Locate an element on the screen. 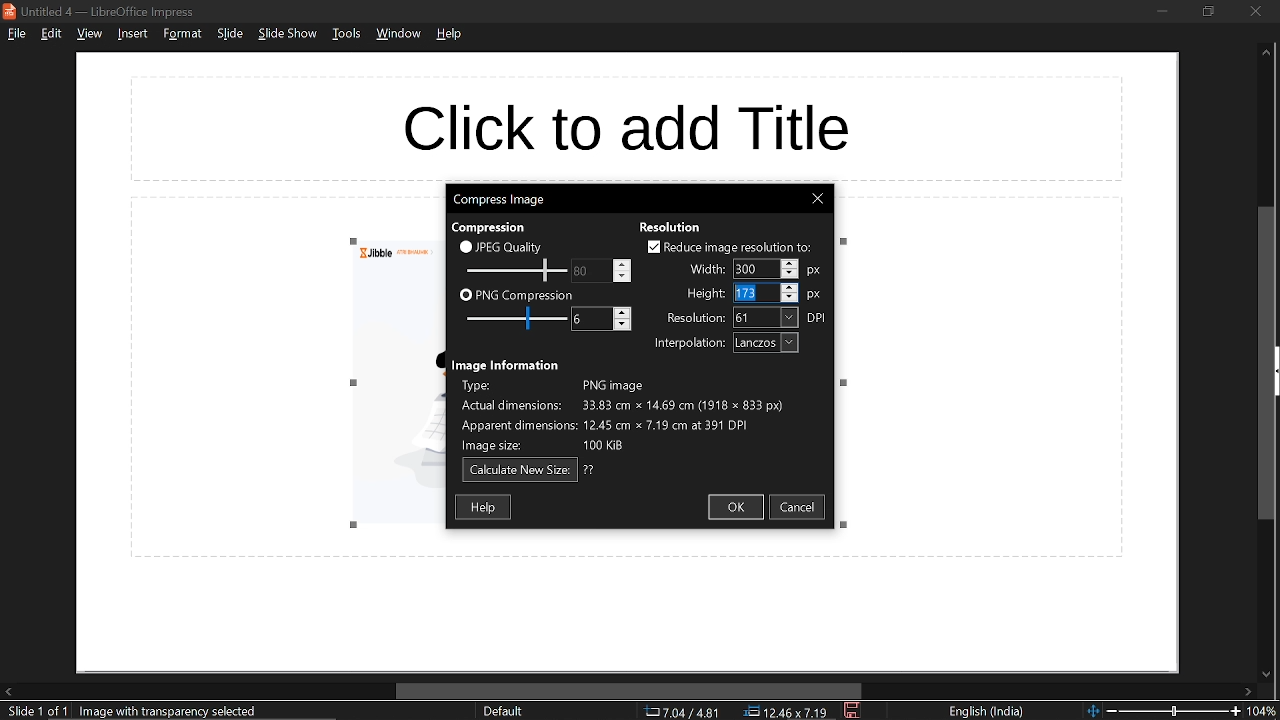 This screenshot has height=720, width=1280. close is located at coordinates (819, 199).